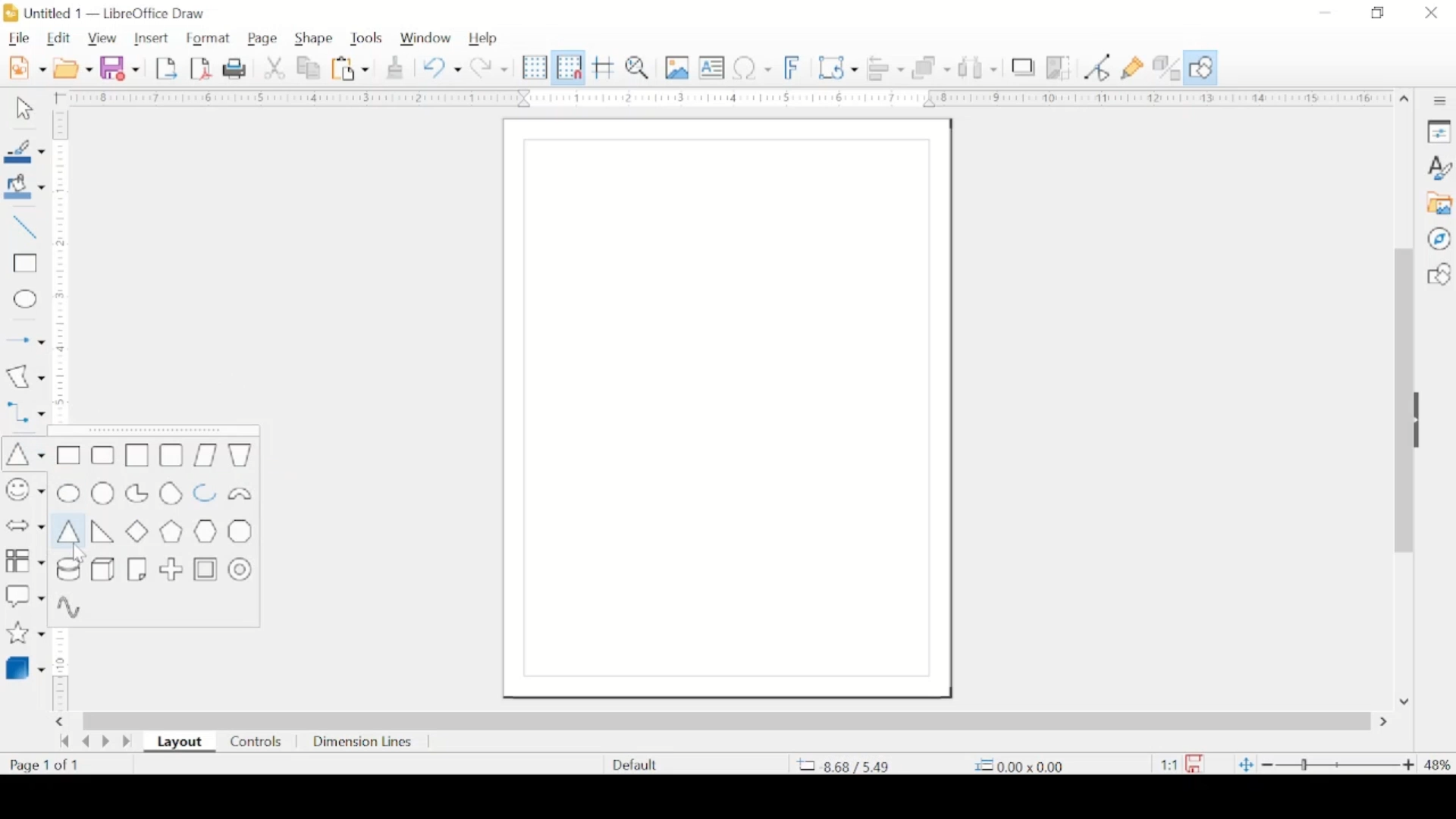  Describe the element at coordinates (110, 13) in the screenshot. I see `untitled 1 - libreoffice draw` at that location.